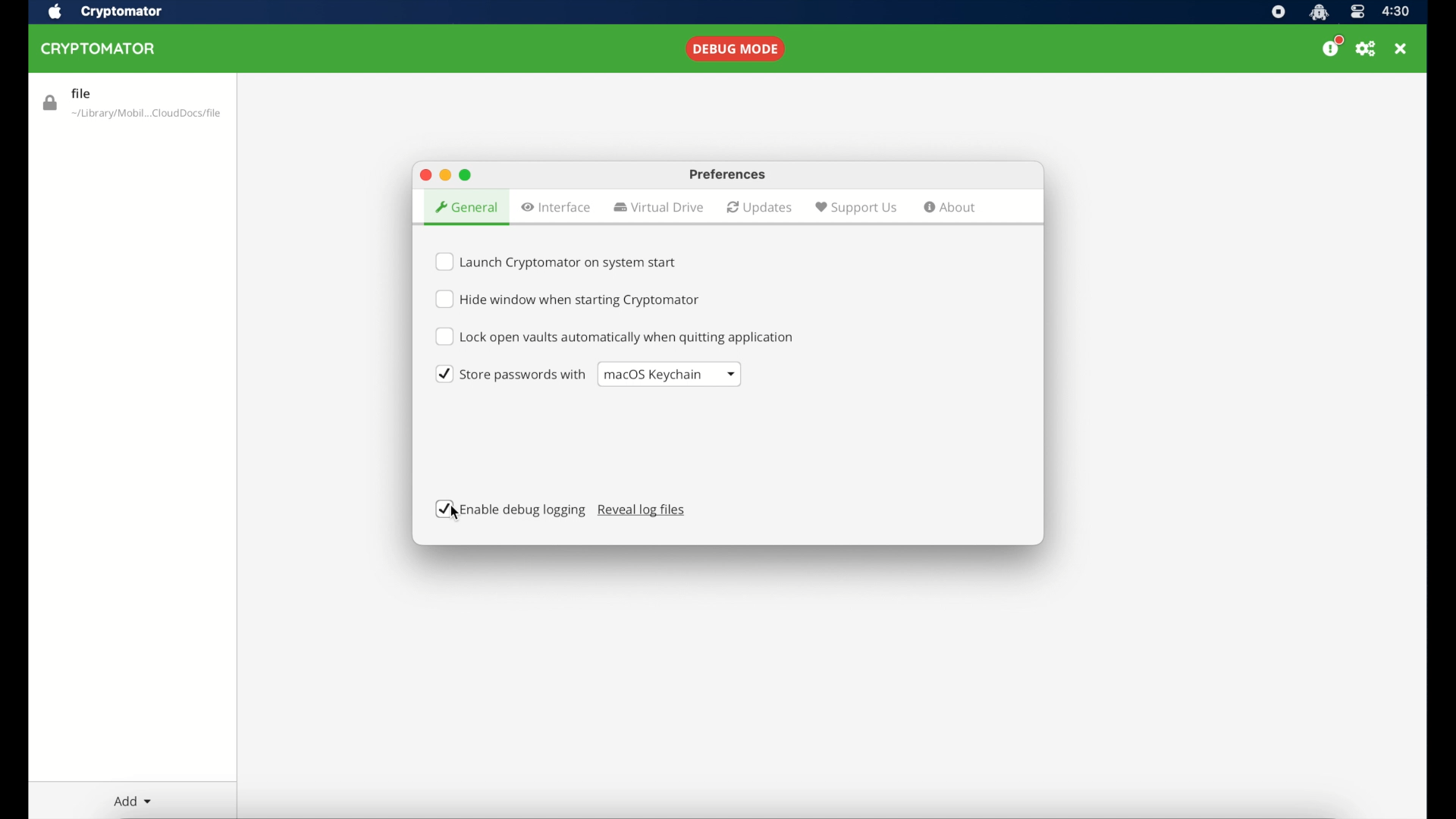 The width and height of the screenshot is (1456, 819). What do you see at coordinates (523, 510) in the screenshot?
I see `enable debug logging` at bounding box center [523, 510].